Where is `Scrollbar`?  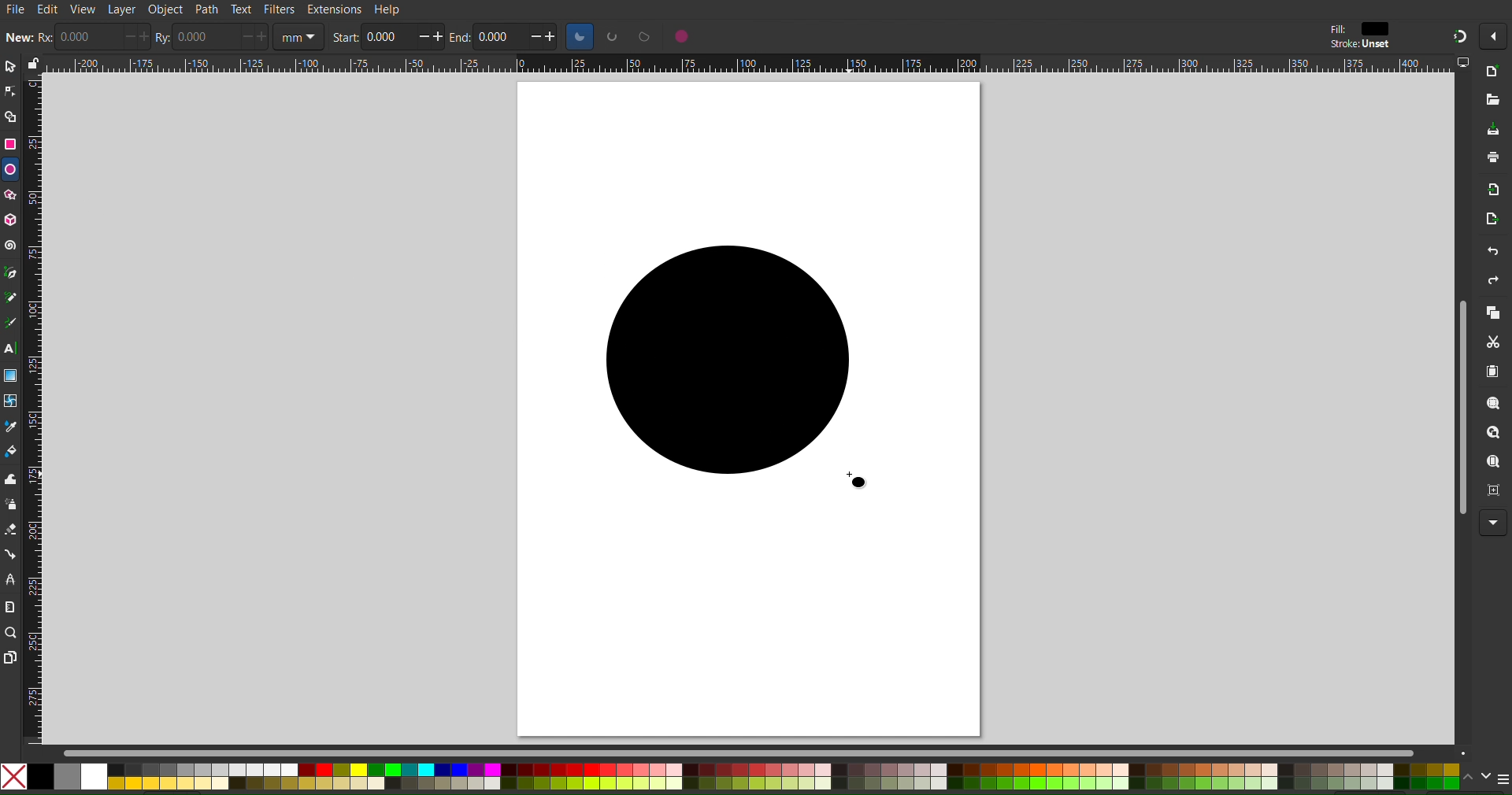
Scrollbar is located at coordinates (764, 752).